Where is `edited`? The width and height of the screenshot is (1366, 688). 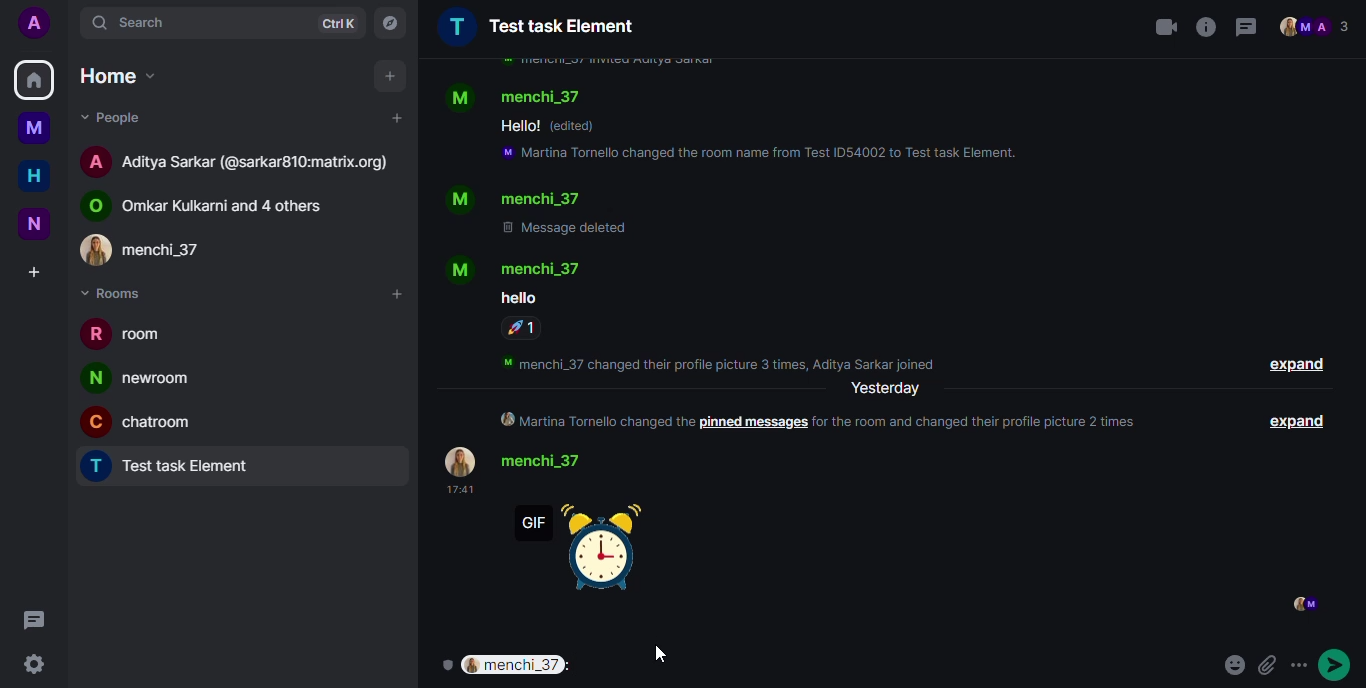
edited is located at coordinates (577, 126).